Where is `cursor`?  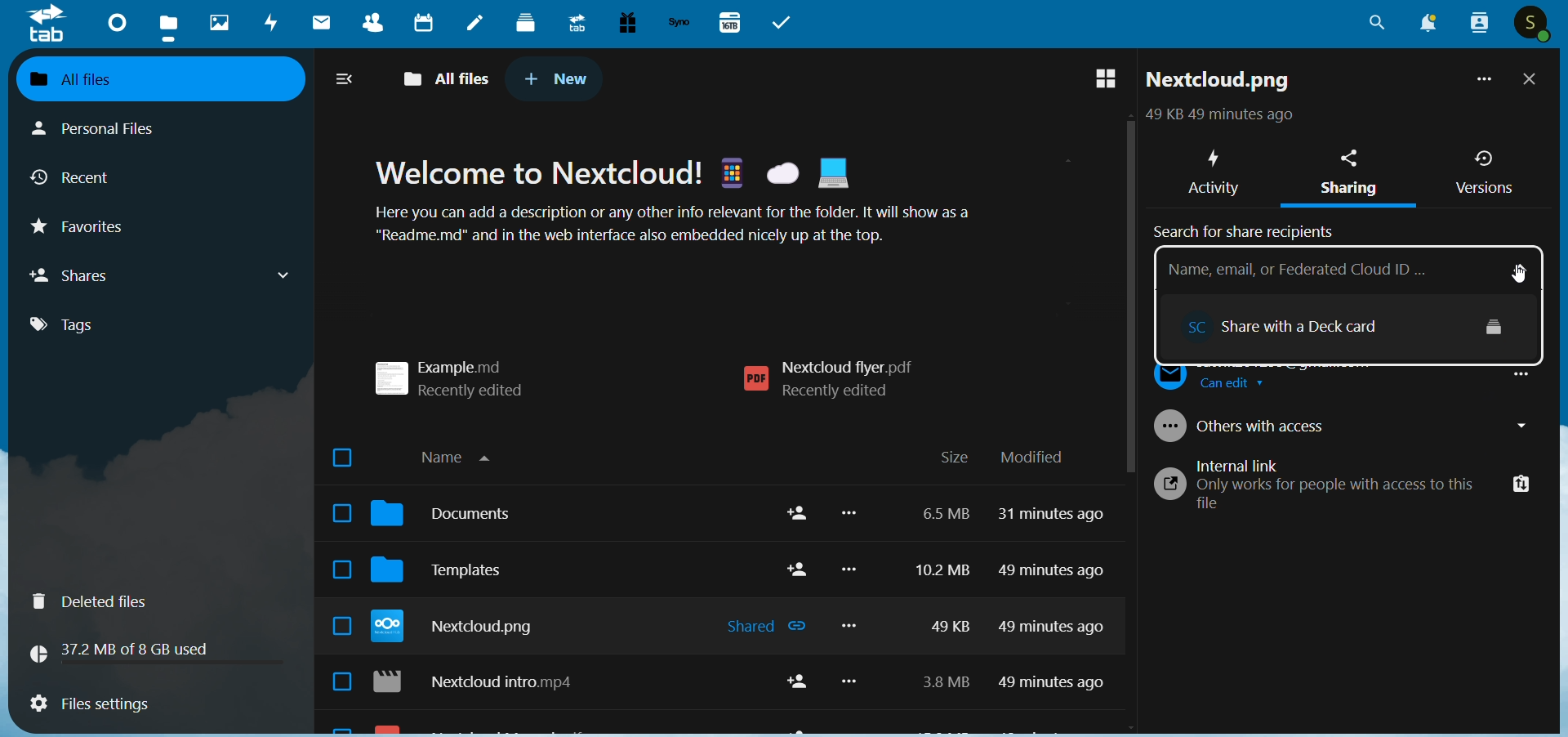
cursor is located at coordinates (1516, 270).